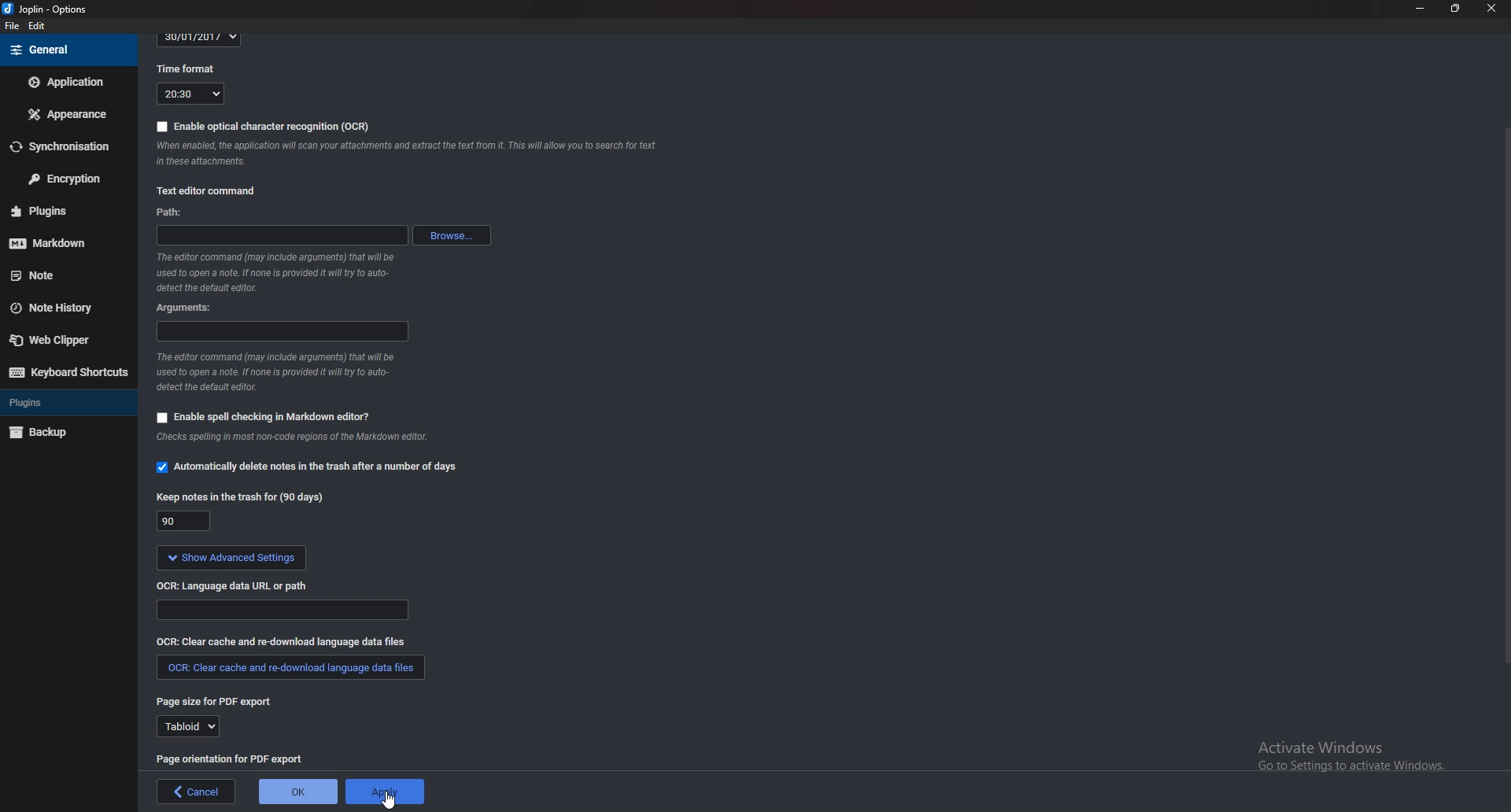  I want to click on cancel, so click(197, 792).